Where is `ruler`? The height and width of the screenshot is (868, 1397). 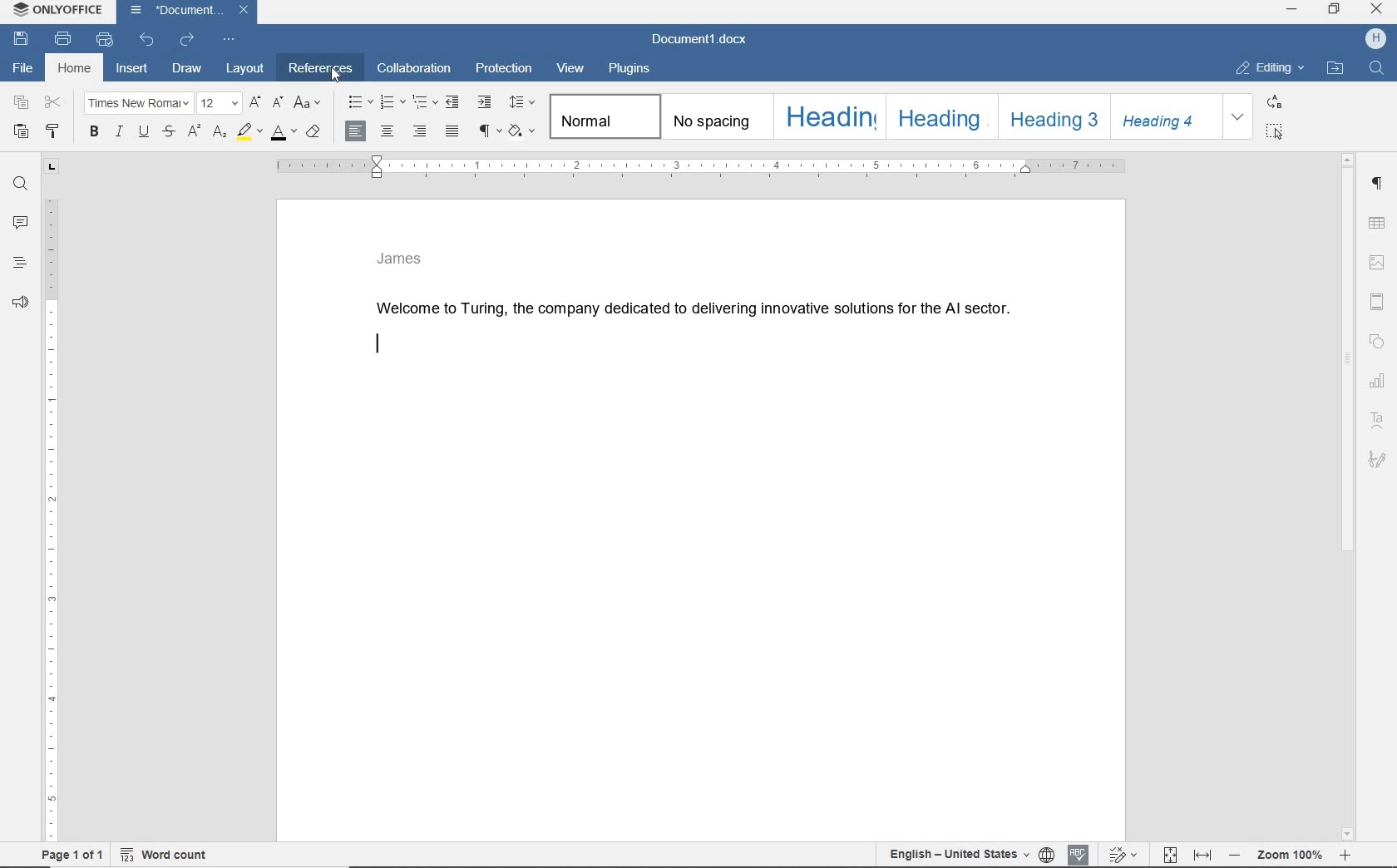 ruler is located at coordinates (50, 501).